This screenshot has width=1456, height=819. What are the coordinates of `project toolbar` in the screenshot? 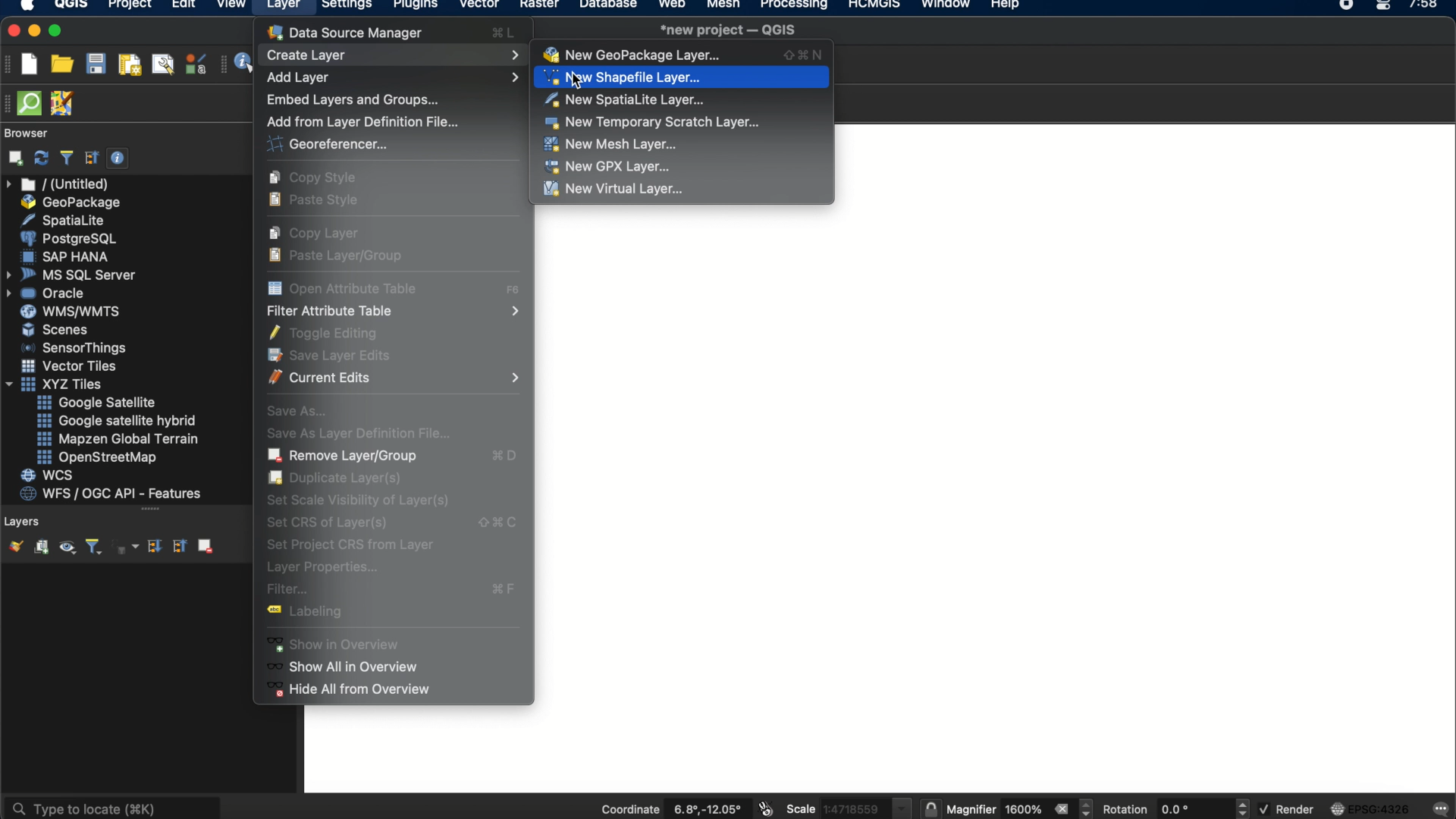 It's located at (9, 64).